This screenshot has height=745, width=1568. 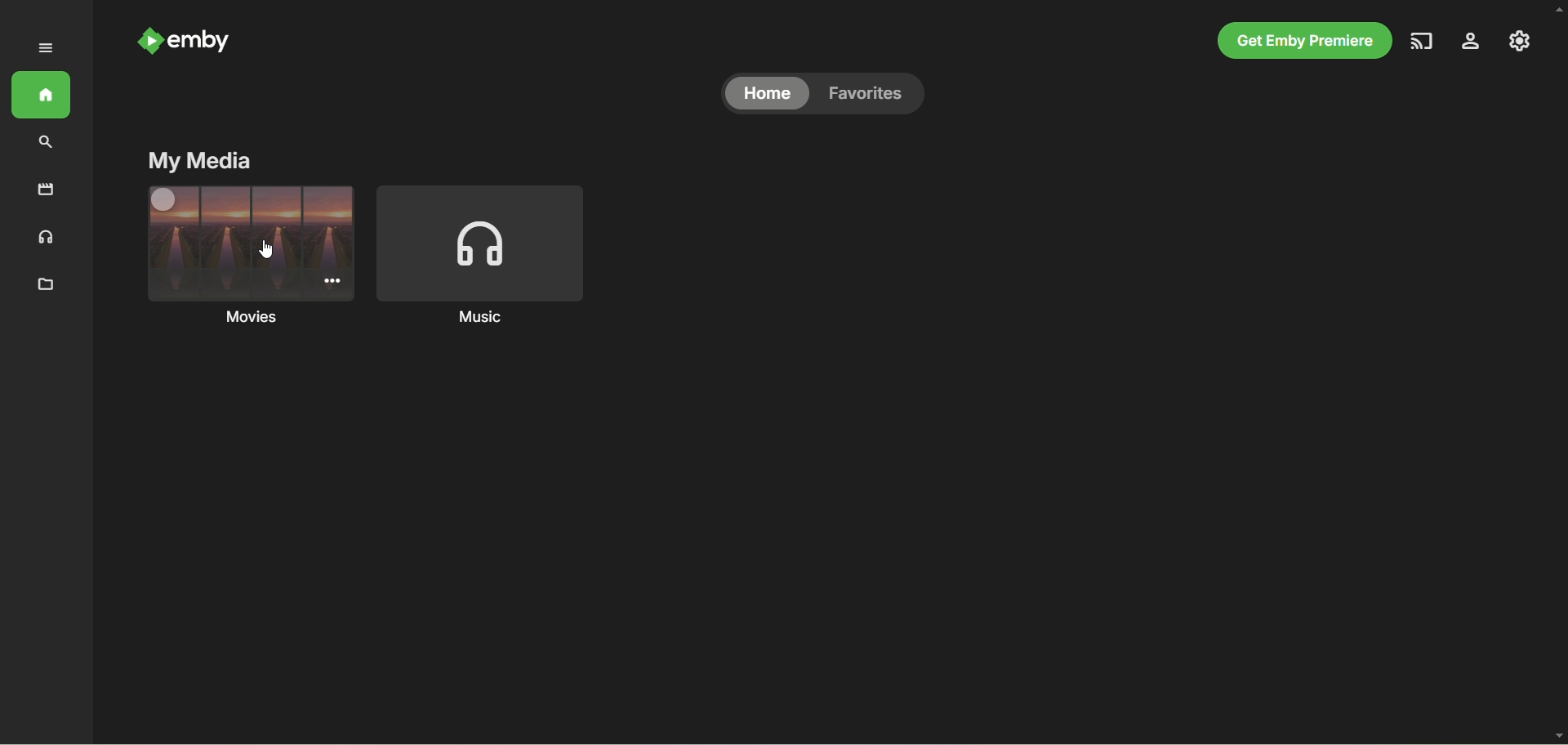 I want to click on search, so click(x=51, y=143).